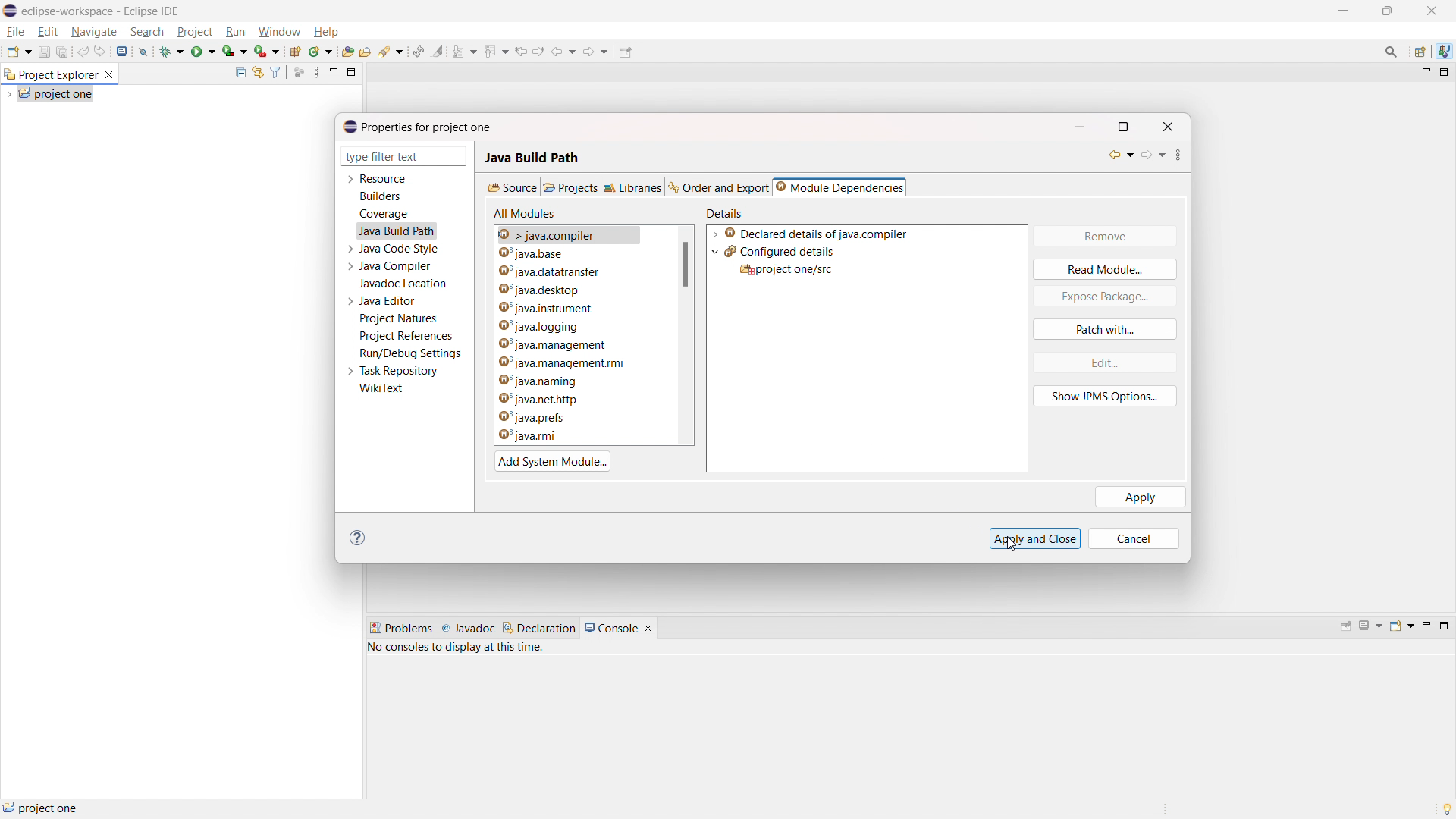 This screenshot has width=1456, height=819. I want to click on expose package, so click(1105, 297).